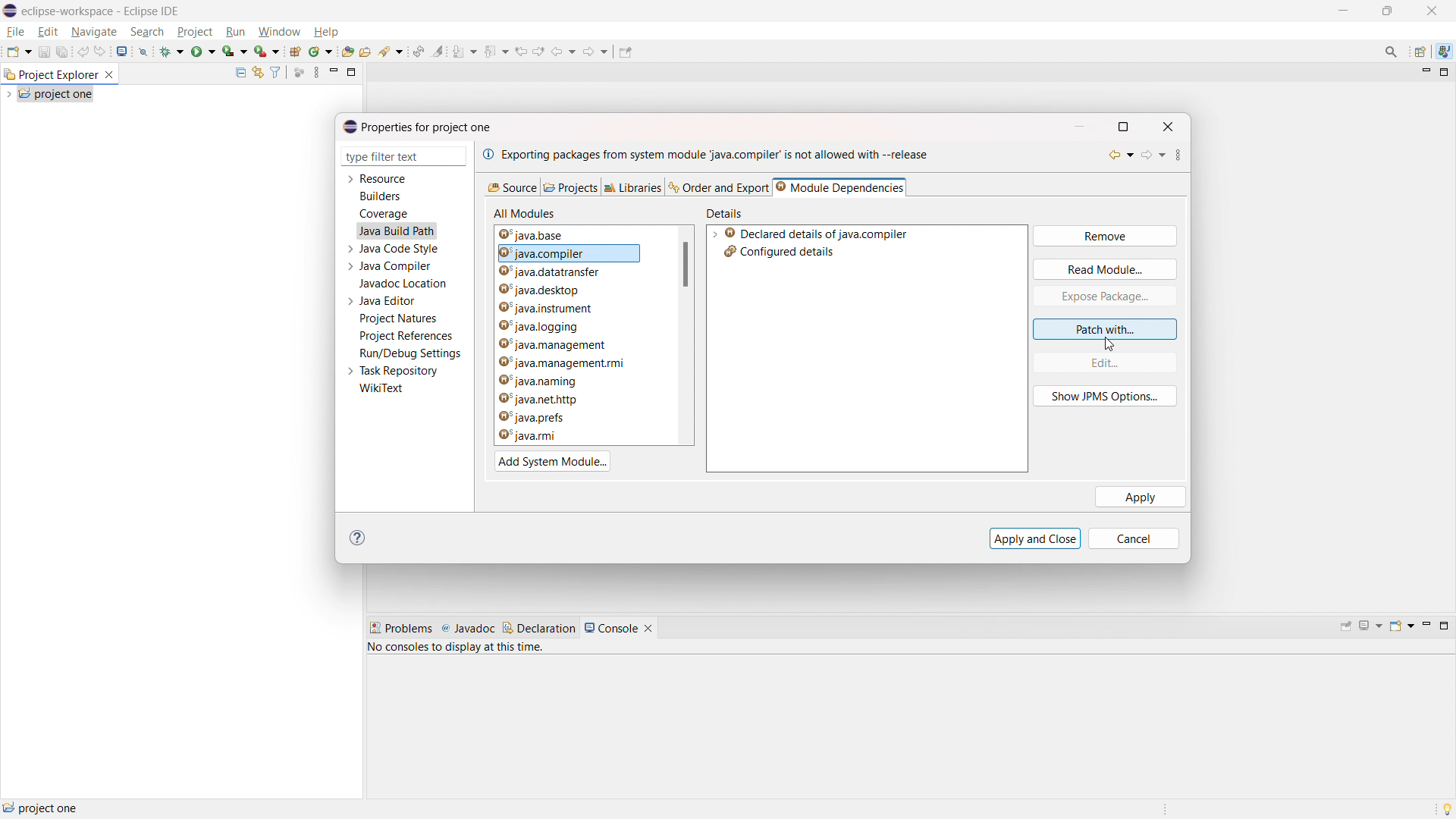 The width and height of the screenshot is (1456, 819). What do you see at coordinates (321, 52) in the screenshot?
I see `new java class` at bounding box center [321, 52].